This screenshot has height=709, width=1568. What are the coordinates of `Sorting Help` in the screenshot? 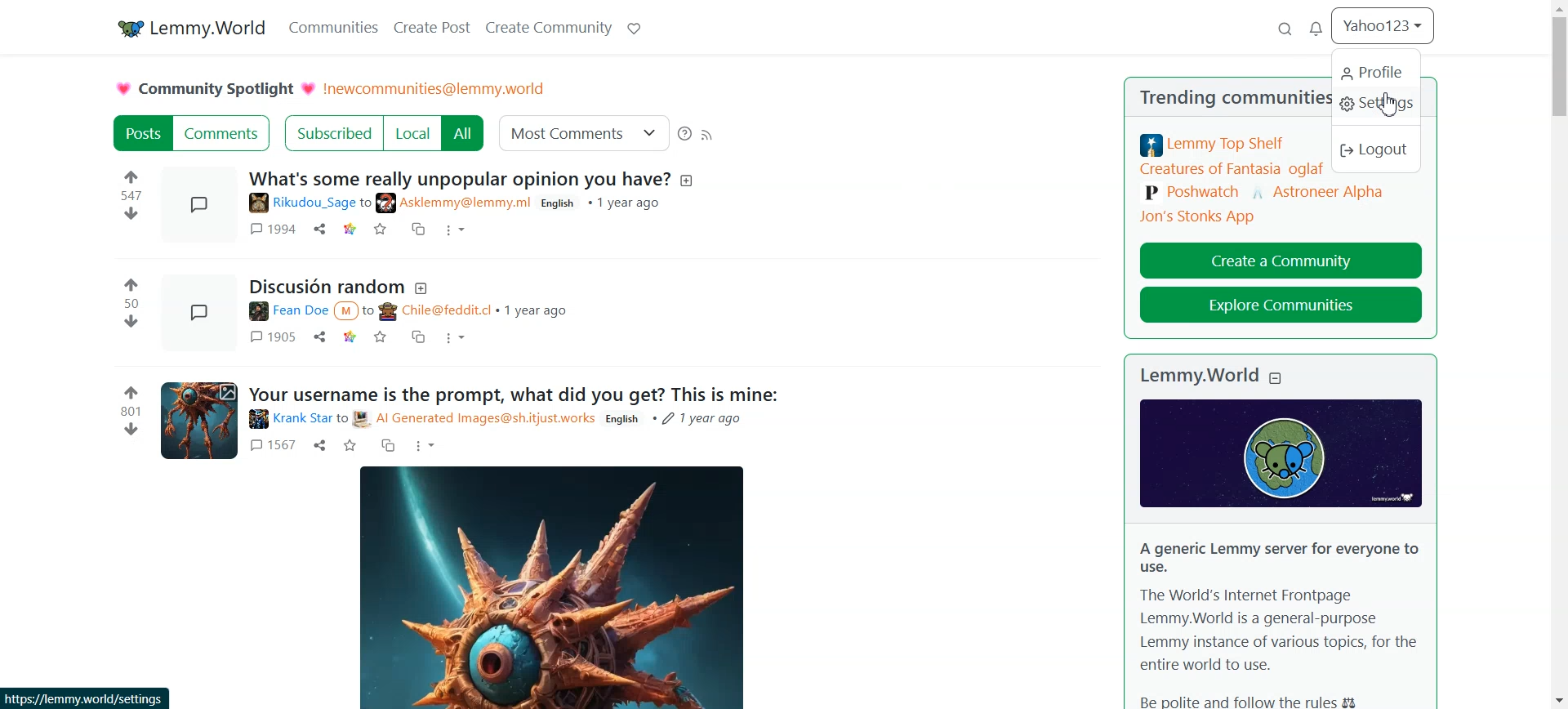 It's located at (685, 133).